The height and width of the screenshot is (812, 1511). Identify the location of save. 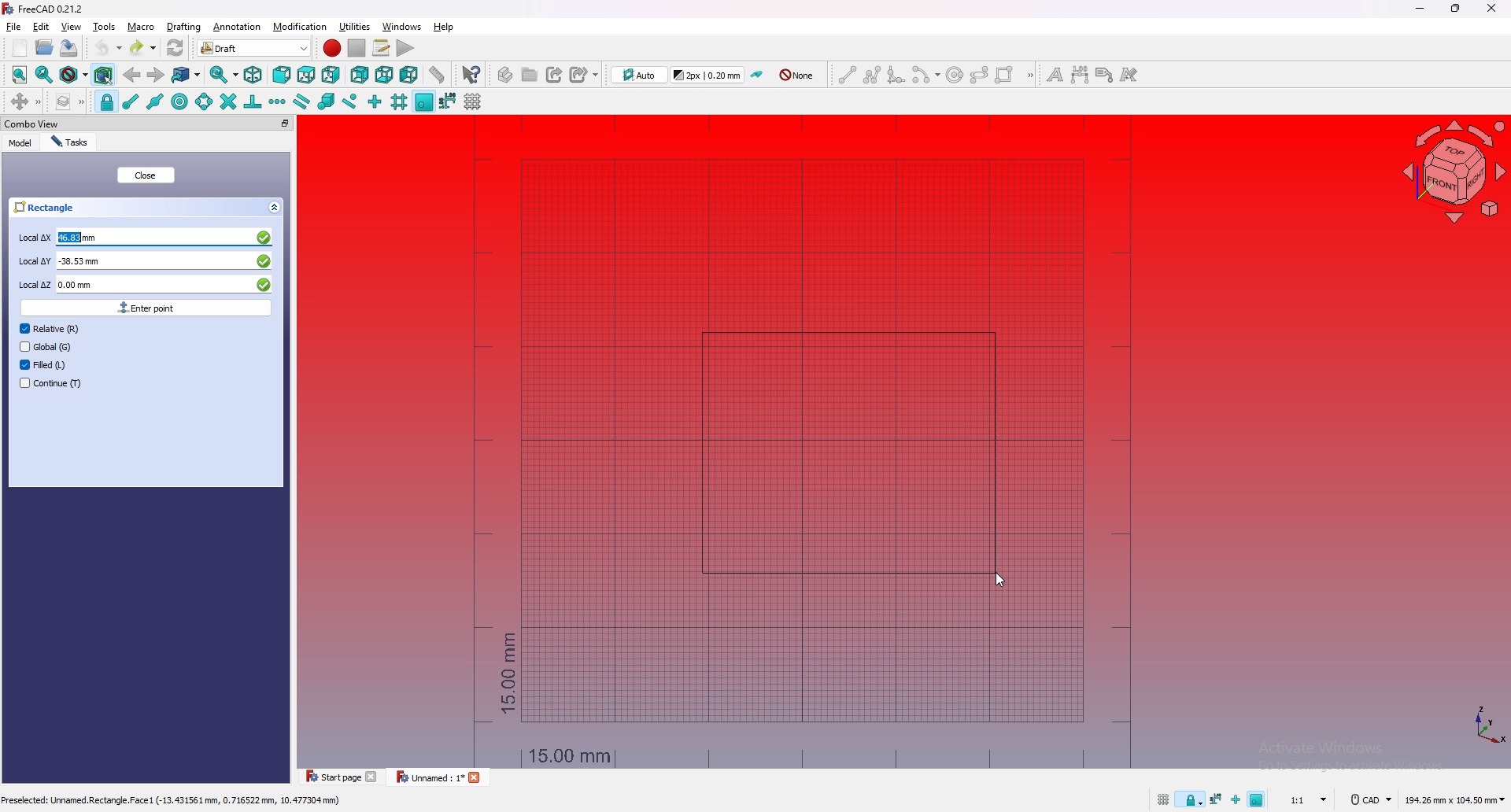
(69, 48).